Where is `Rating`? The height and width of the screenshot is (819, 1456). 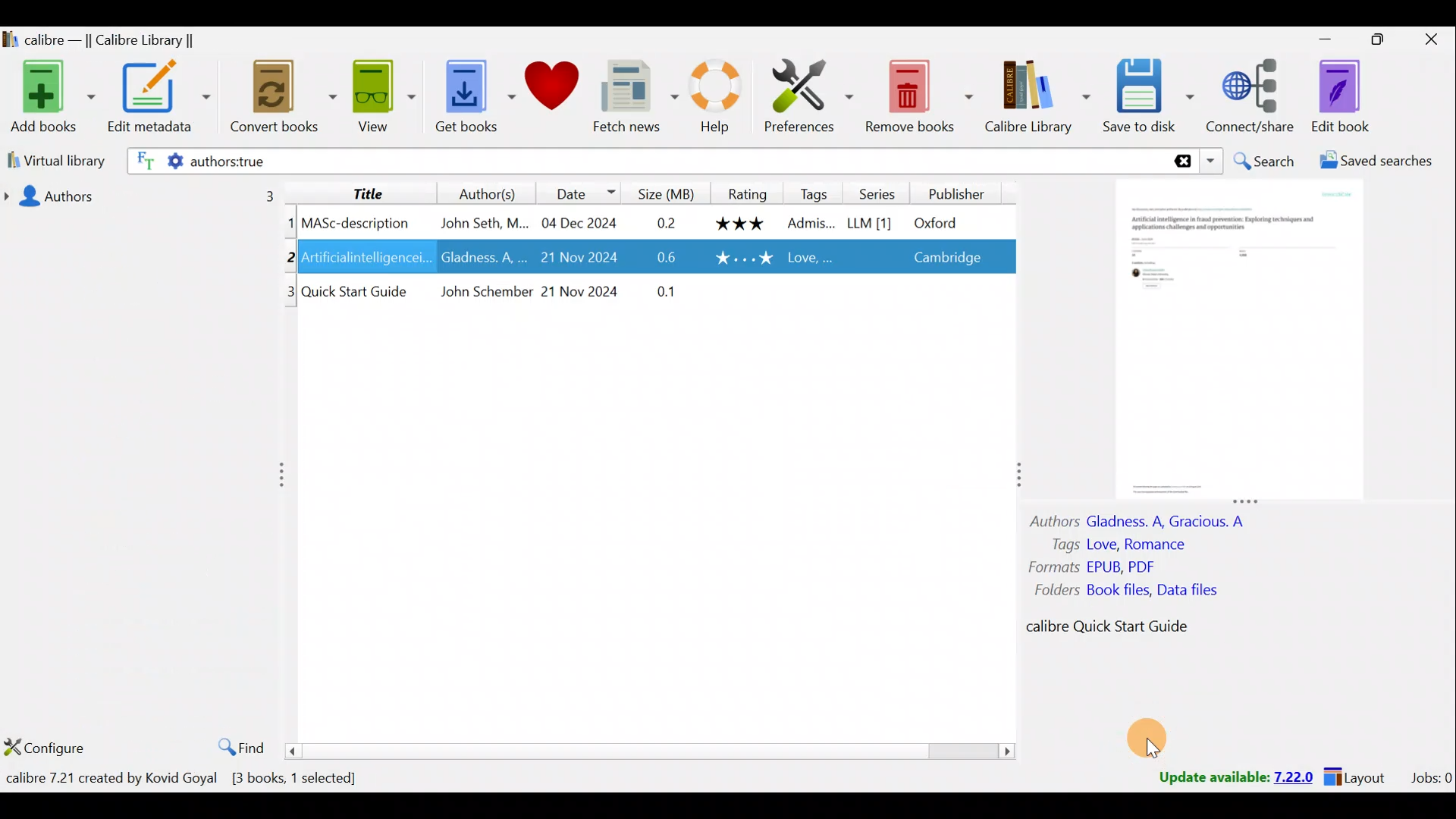 Rating is located at coordinates (748, 193).